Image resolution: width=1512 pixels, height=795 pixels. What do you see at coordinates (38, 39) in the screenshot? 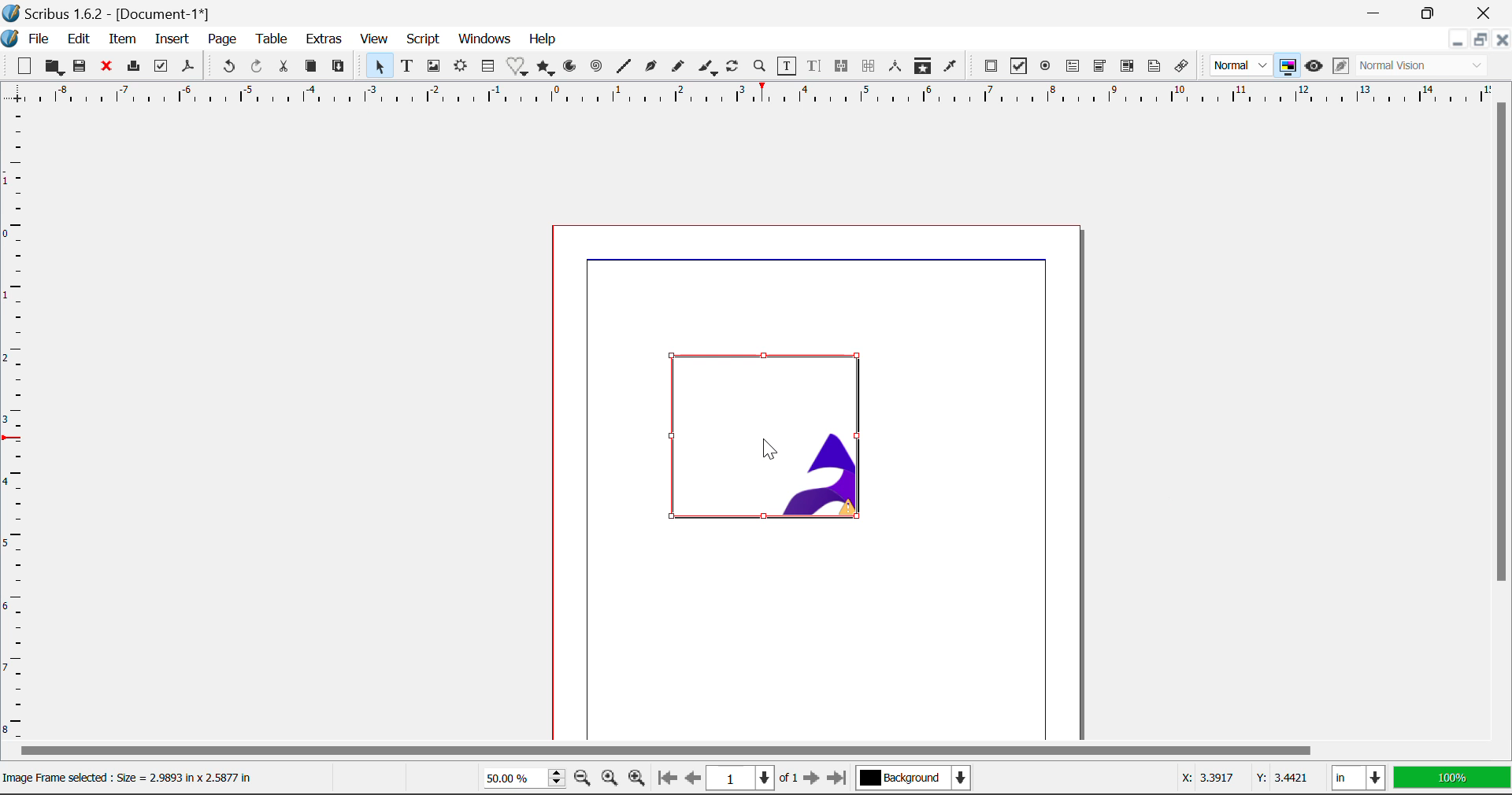
I see `File` at bounding box center [38, 39].